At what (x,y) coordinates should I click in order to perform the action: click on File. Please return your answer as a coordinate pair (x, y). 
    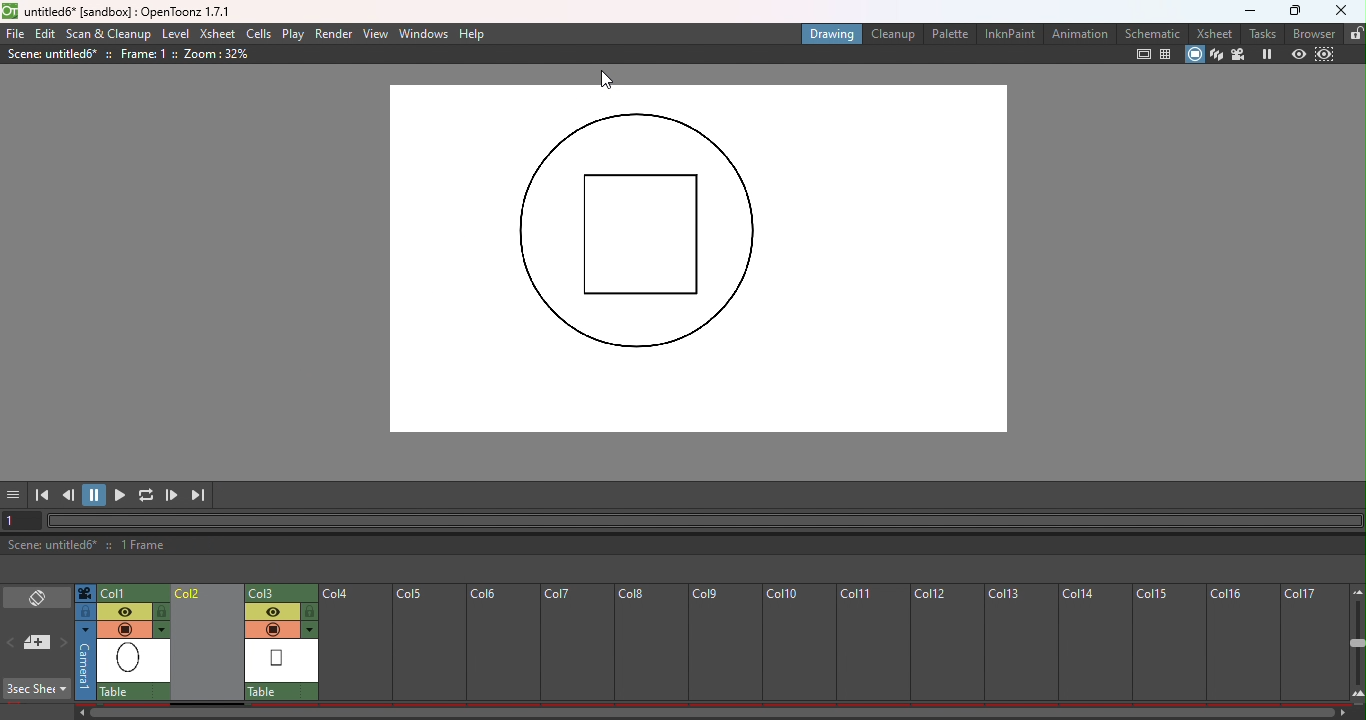
    Looking at the image, I should click on (16, 33).